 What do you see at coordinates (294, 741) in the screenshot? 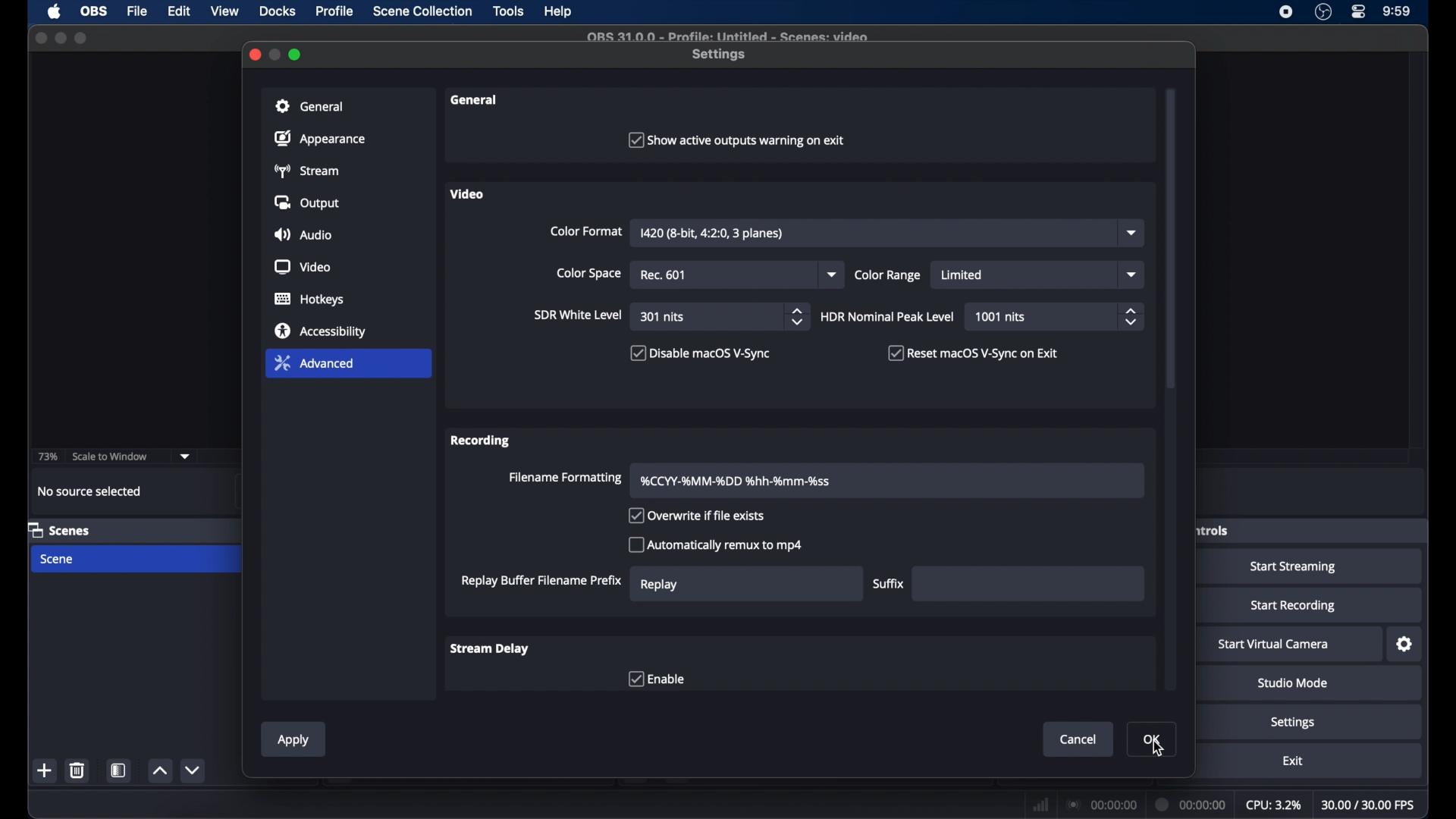
I see `apply` at bounding box center [294, 741].